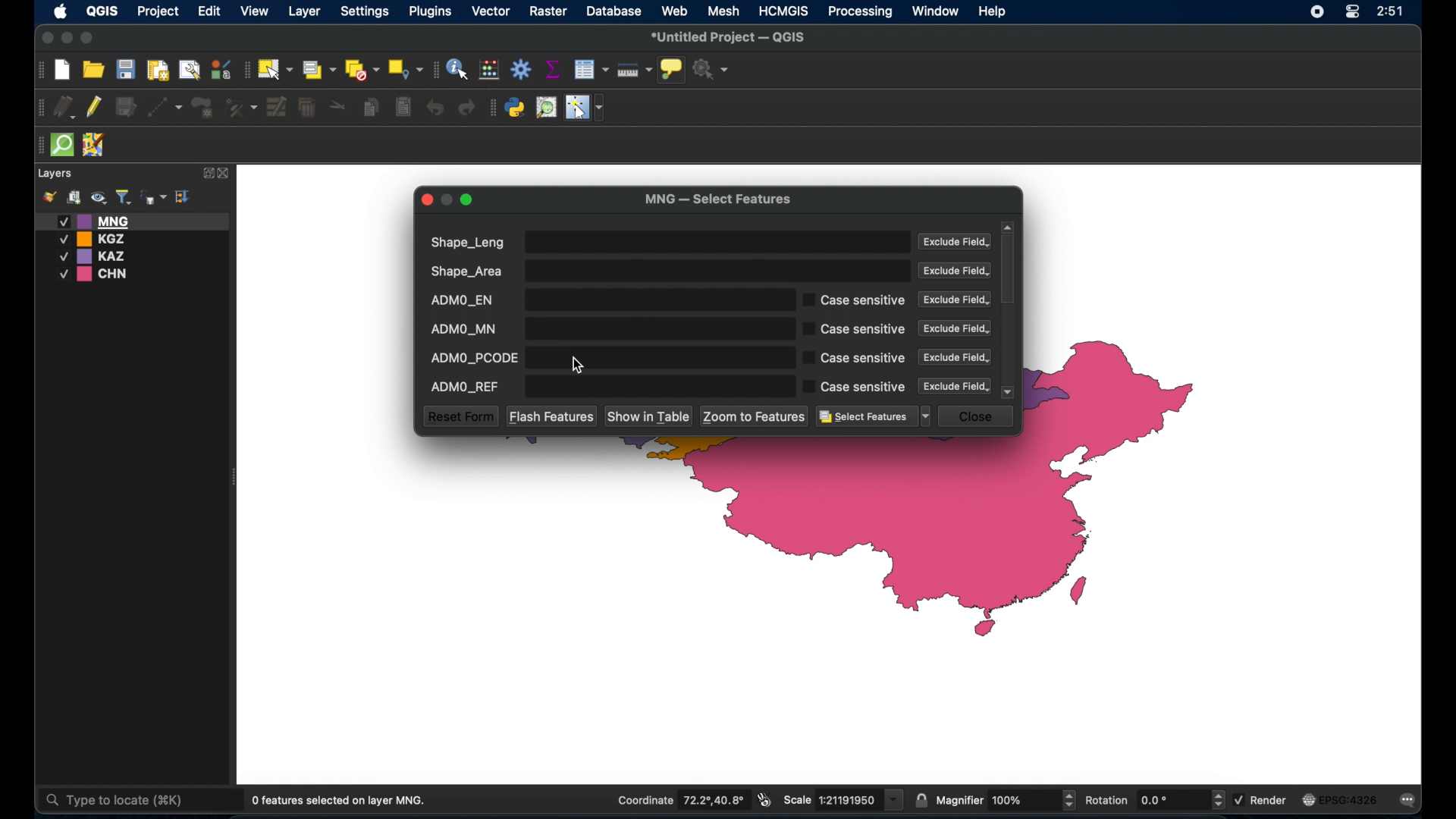  What do you see at coordinates (303, 11) in the screenshot?
I see `layer` at bounding box center [303, 11].